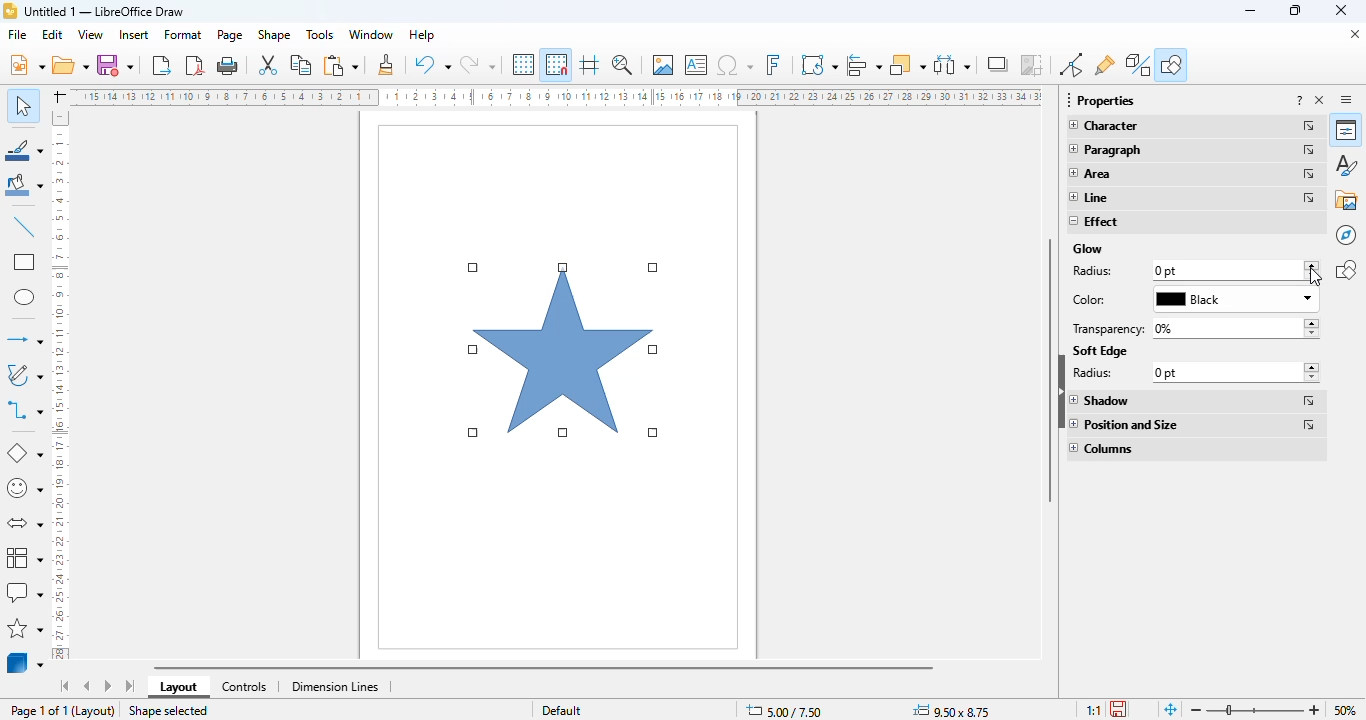 This screenshot has width=1366, height=720. Describe the element at coordinates (228, 66) in the screenshot. I see `print` at that location.